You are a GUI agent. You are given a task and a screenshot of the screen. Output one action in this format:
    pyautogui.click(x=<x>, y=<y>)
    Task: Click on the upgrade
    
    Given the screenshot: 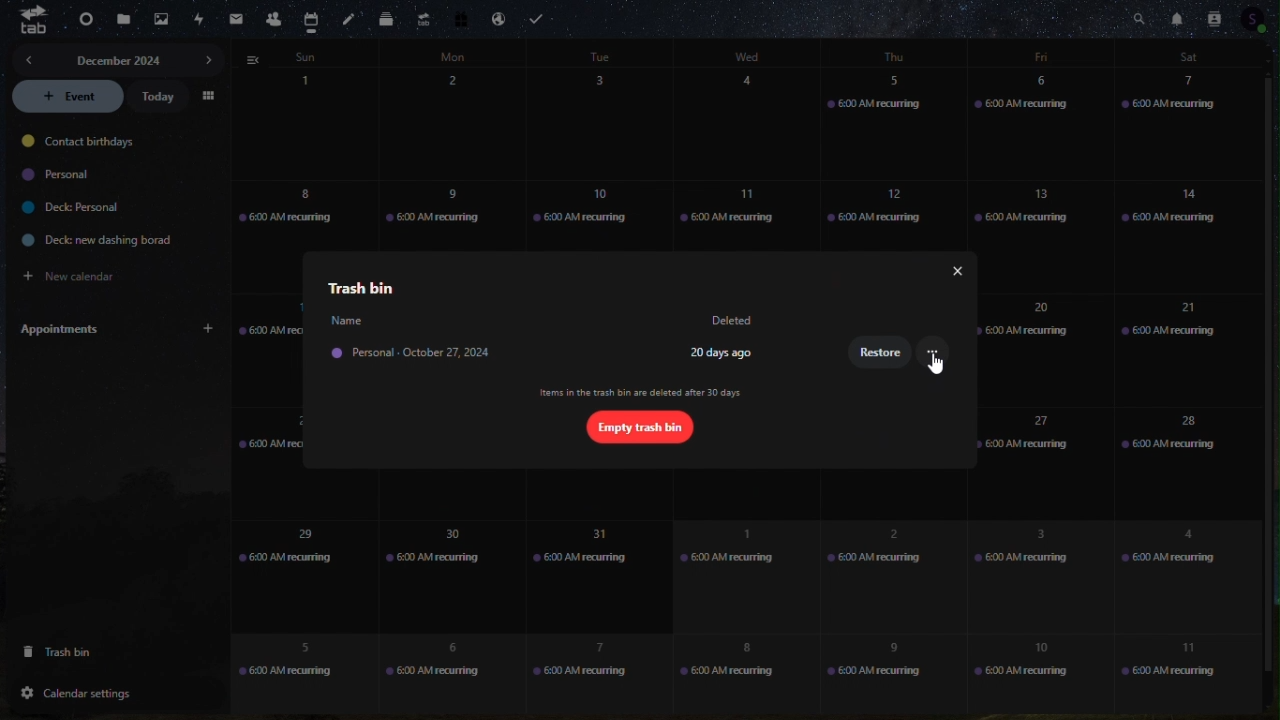 What is the action you would take?
    pyautogui.click(x=422, y=18)
    